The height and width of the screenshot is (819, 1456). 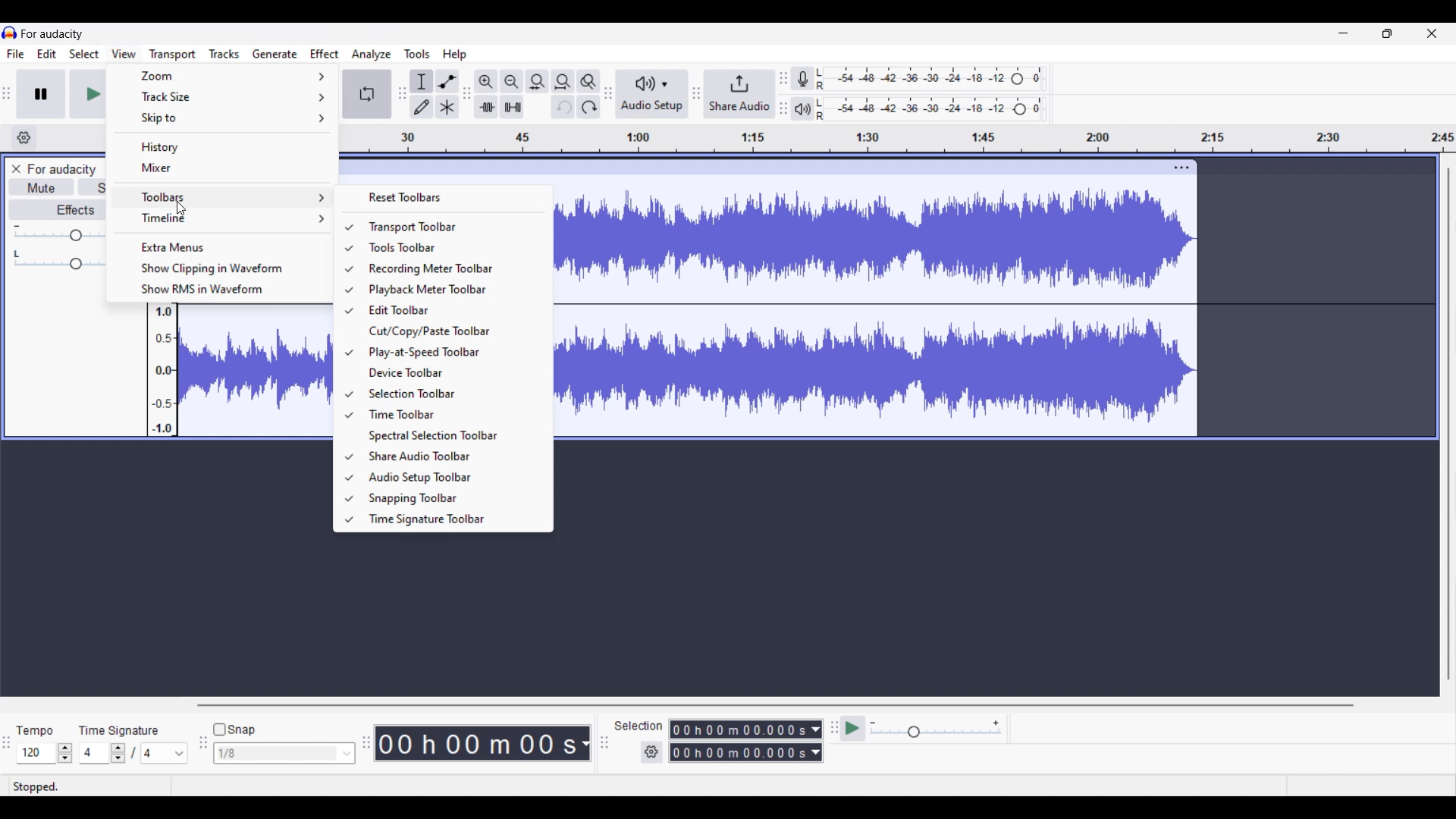 What do you see at coordinates (652, 94) in the screenshot?
I see `Audio setup` at bounding box center [652, 94].